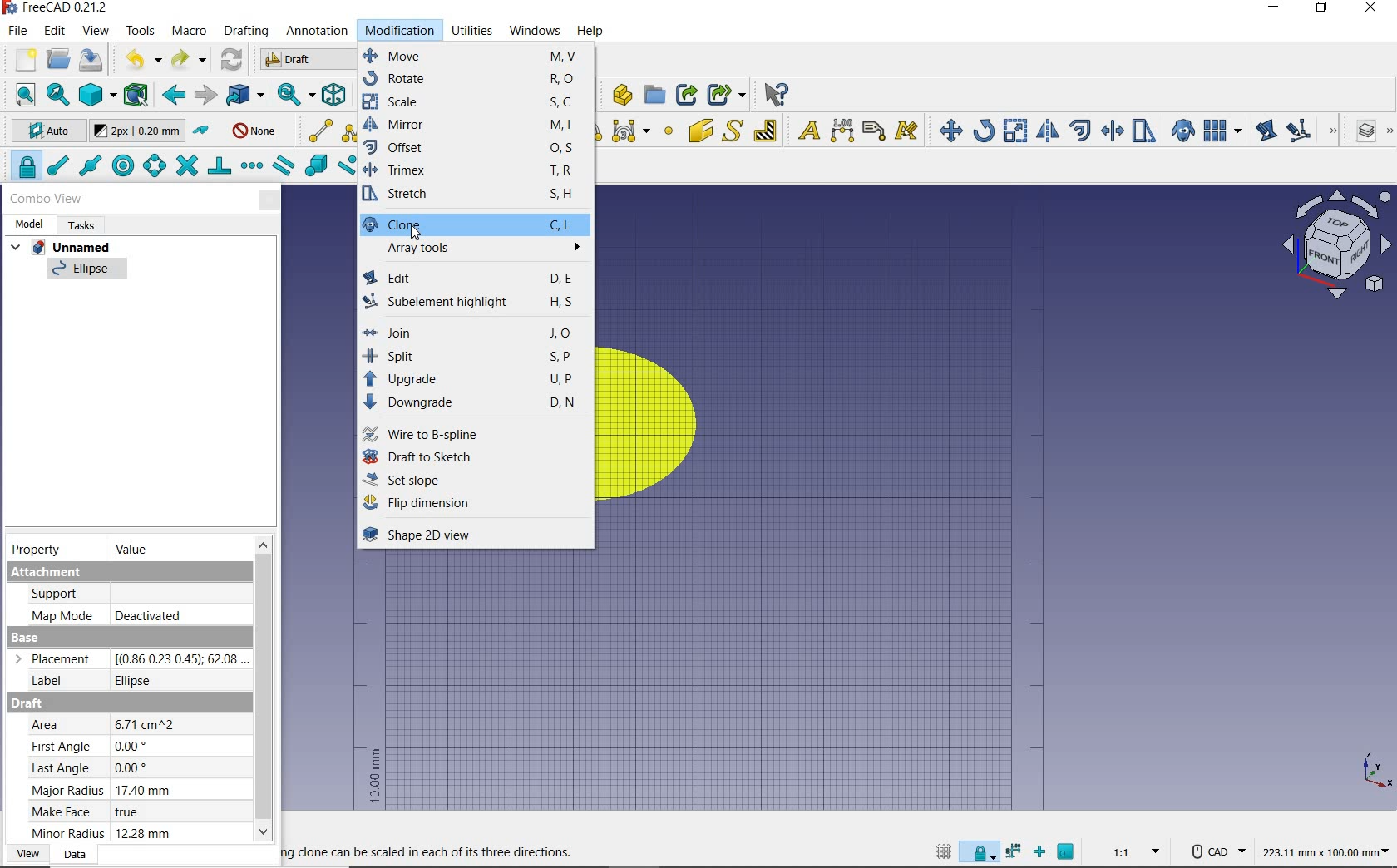 The height and width of the screenshot is (868, 1397). What do you see at coordinates (333, 96) in the screenshot?
I see `isometric` at bounding box center [333, 96].